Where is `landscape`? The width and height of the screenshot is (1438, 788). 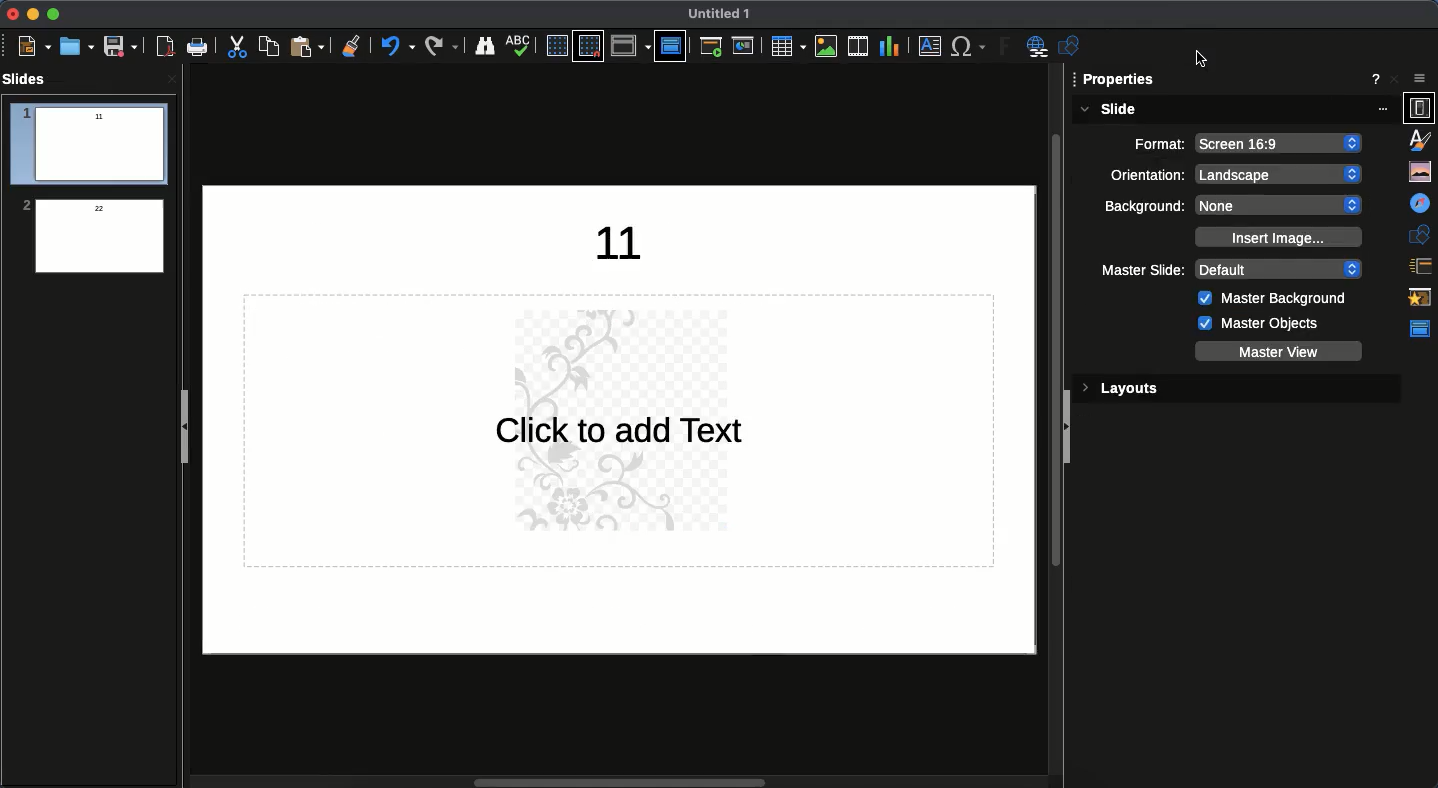
landscape is located at coordinates (1280, 173).